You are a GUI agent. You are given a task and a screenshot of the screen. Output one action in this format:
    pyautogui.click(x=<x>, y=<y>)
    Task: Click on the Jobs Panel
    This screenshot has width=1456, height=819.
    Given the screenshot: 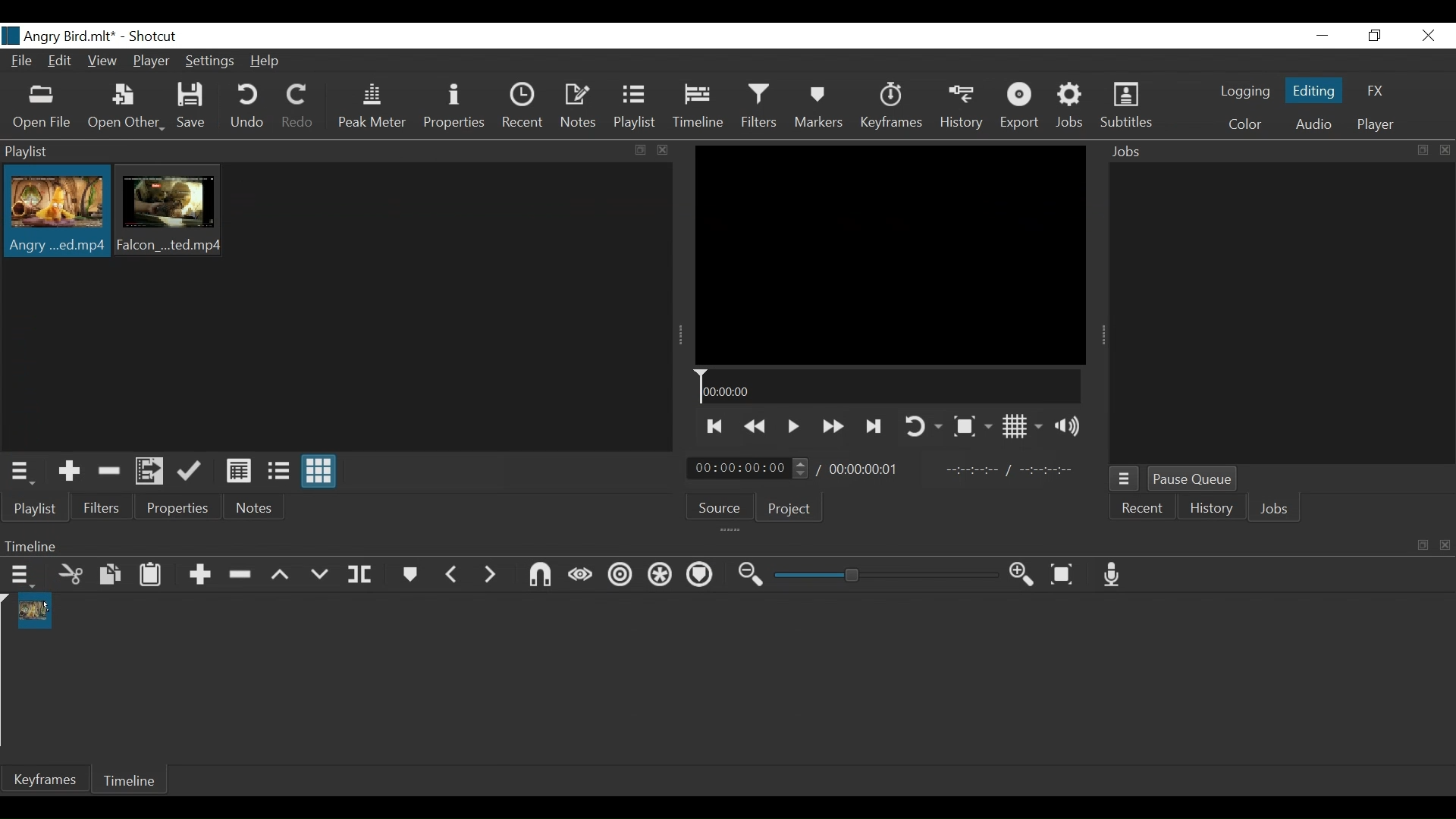 What is the action you would take?
    pyautogui.click(x=1275, y=152)
    